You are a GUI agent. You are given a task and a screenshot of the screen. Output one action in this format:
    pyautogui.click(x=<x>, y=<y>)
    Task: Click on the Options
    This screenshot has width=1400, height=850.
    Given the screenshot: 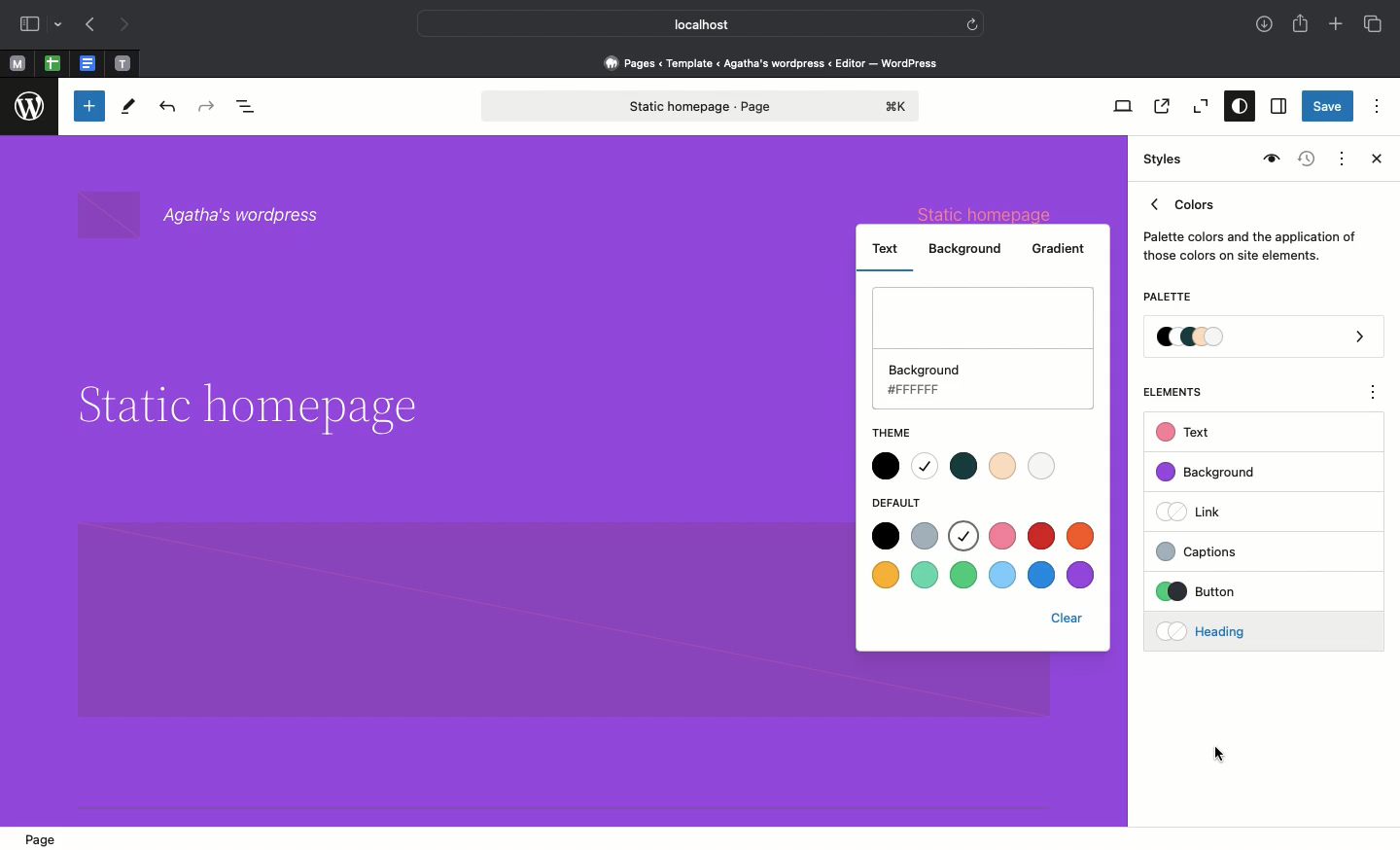 What is the action you would take?
    pyautogui.click(x=1377, y=105)
    